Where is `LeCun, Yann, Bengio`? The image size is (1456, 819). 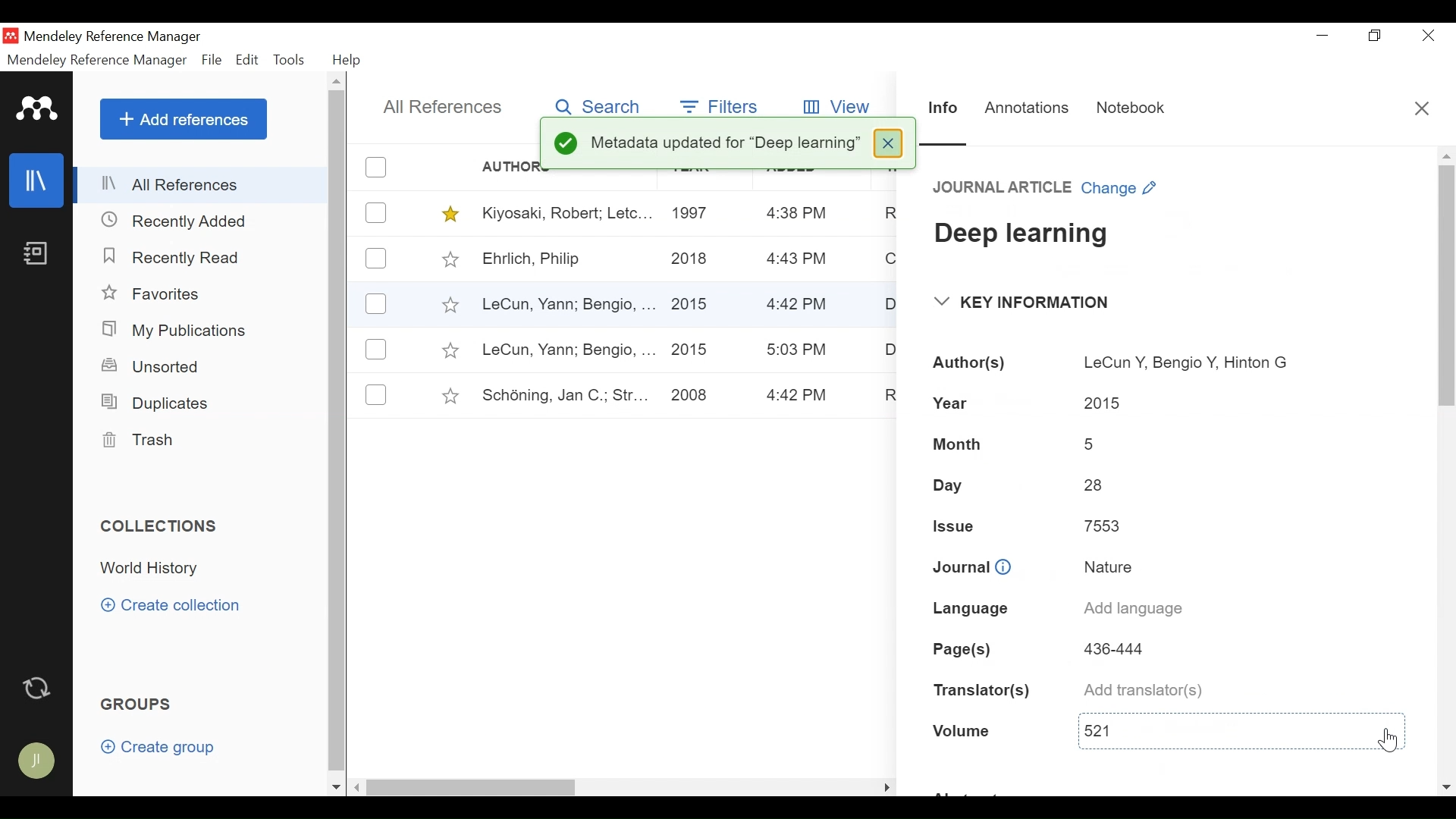
LeCun, Yann, Bengio is located at coordinates (566, 306).